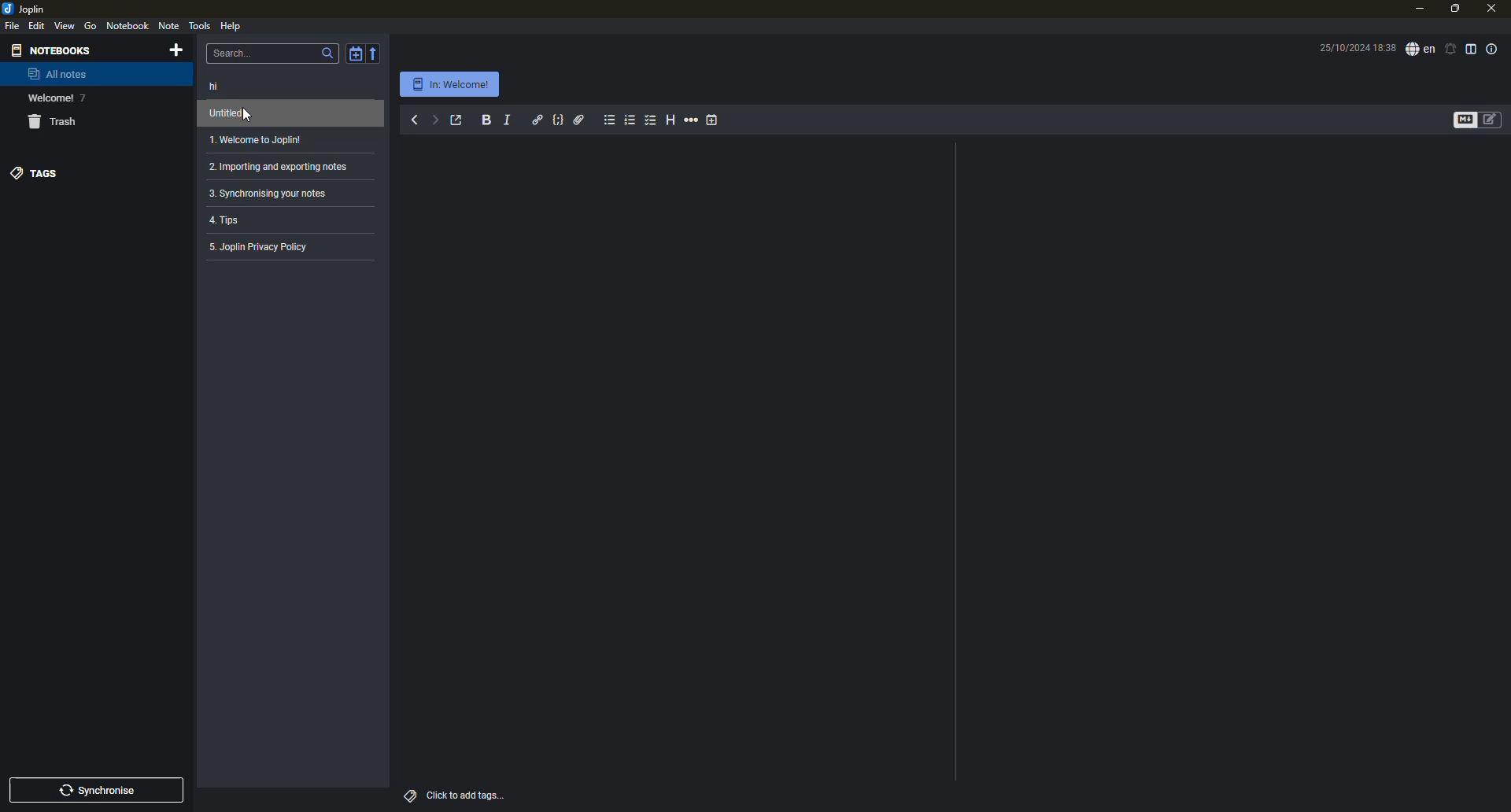  Describe the element at coordinates (456, 120) in the screenshot. I see `toggle external editing` at that location.